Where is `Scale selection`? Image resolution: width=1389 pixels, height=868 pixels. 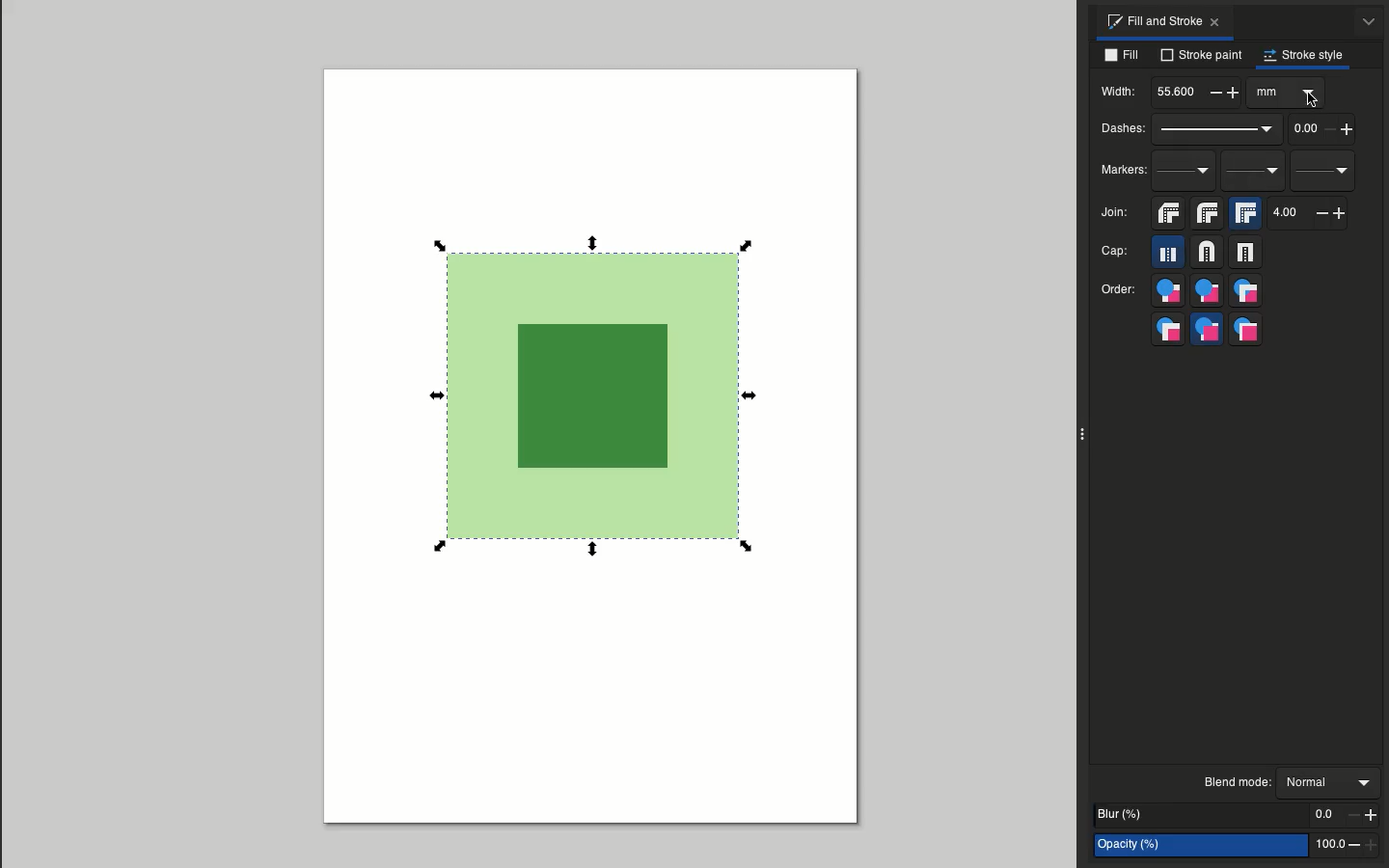
Scale selection is located at coordinates (597, 234).